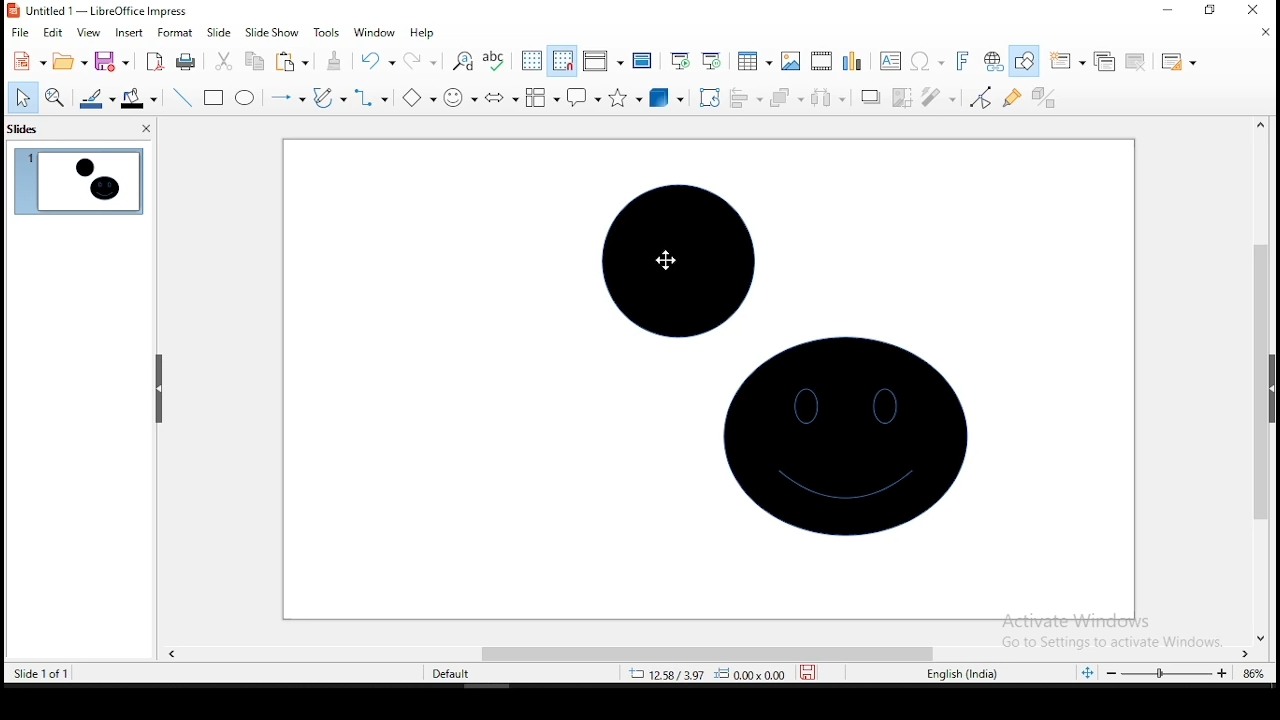 This screenshot has width=1280, height=720. I want to click on insert hyperlink, so click(992, 62).